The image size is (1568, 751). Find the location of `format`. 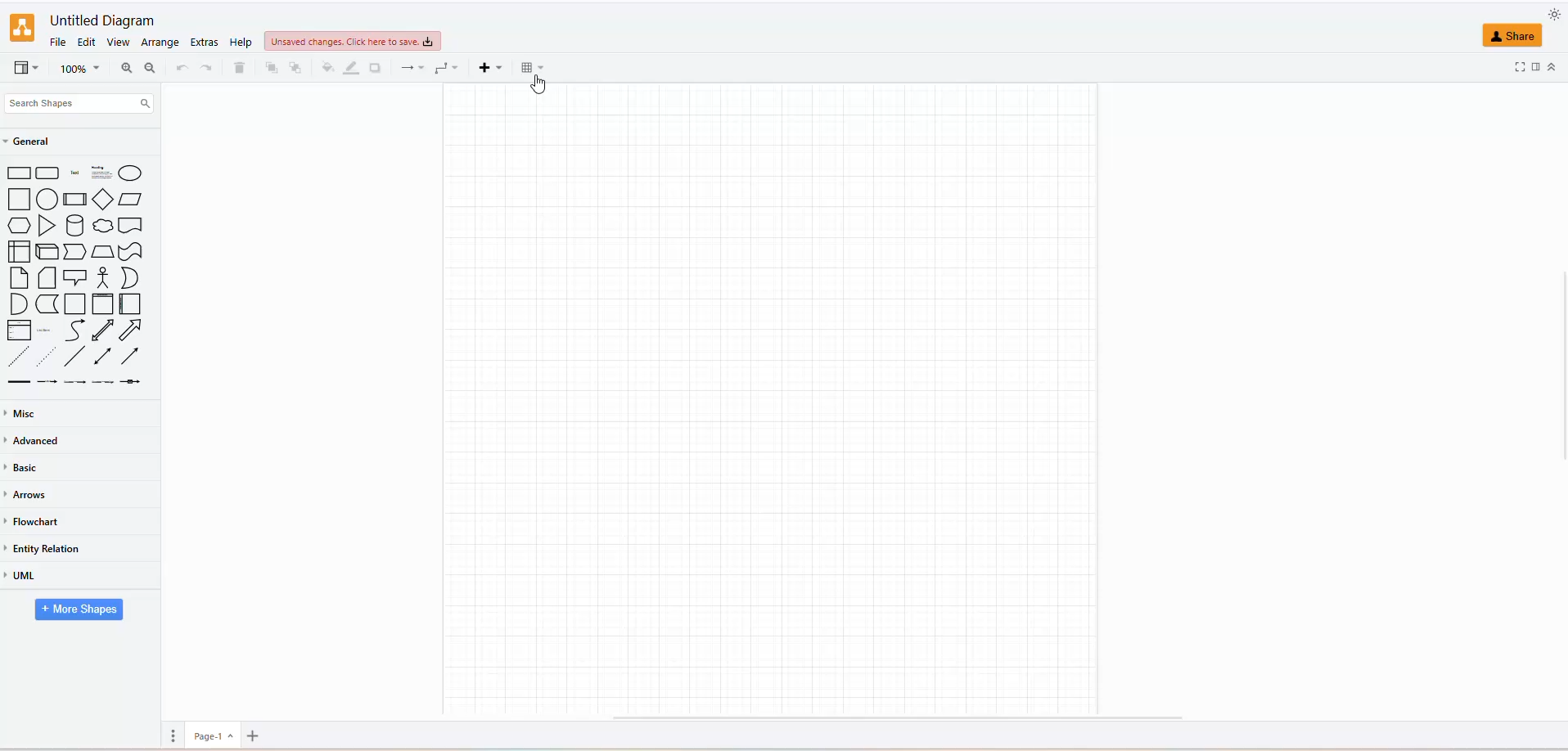

format is located at coordinates (1538, 70).